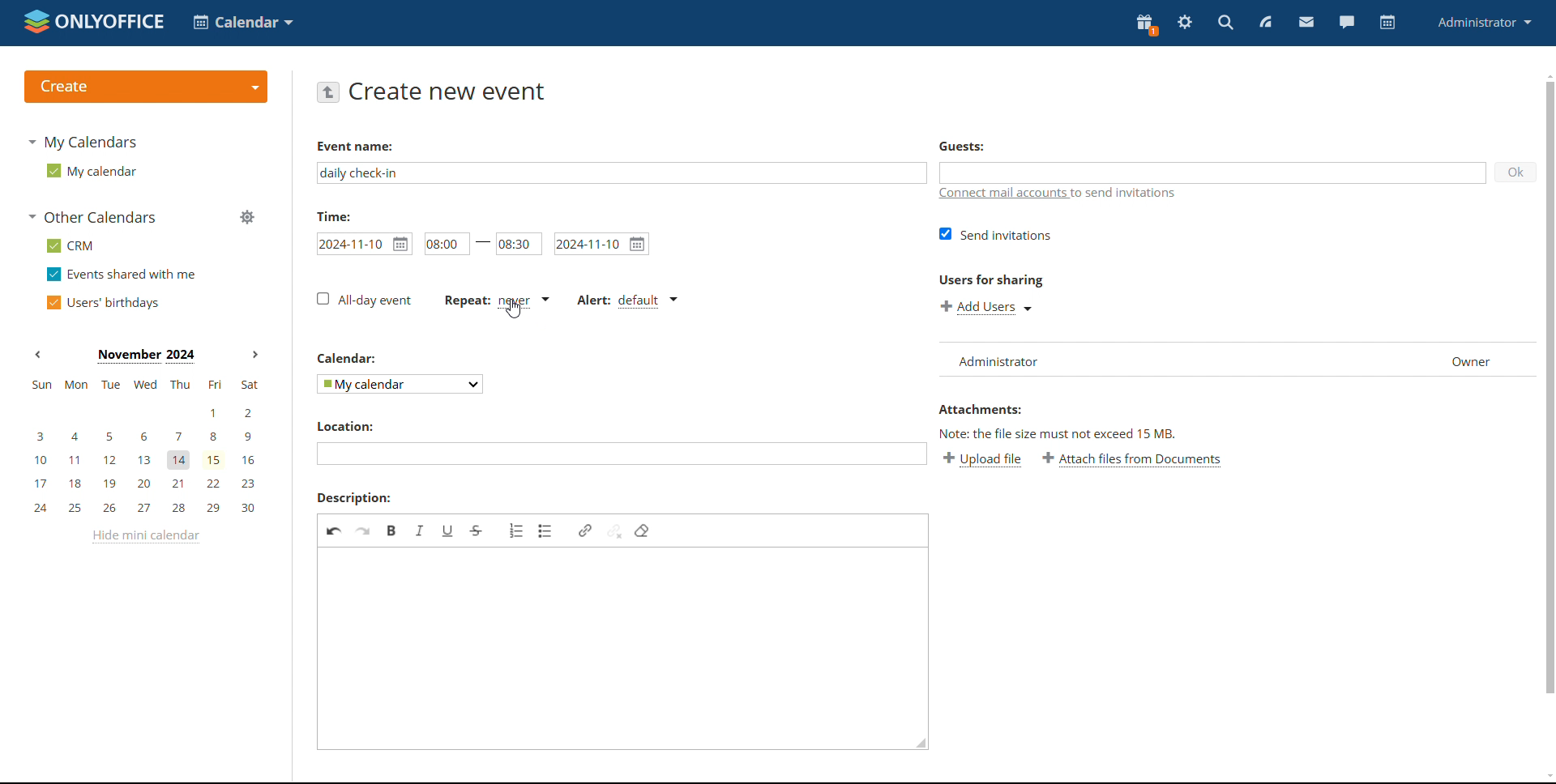 The image size is (1556, 784). I want to click on attach files from documents, so click(1135, 460).